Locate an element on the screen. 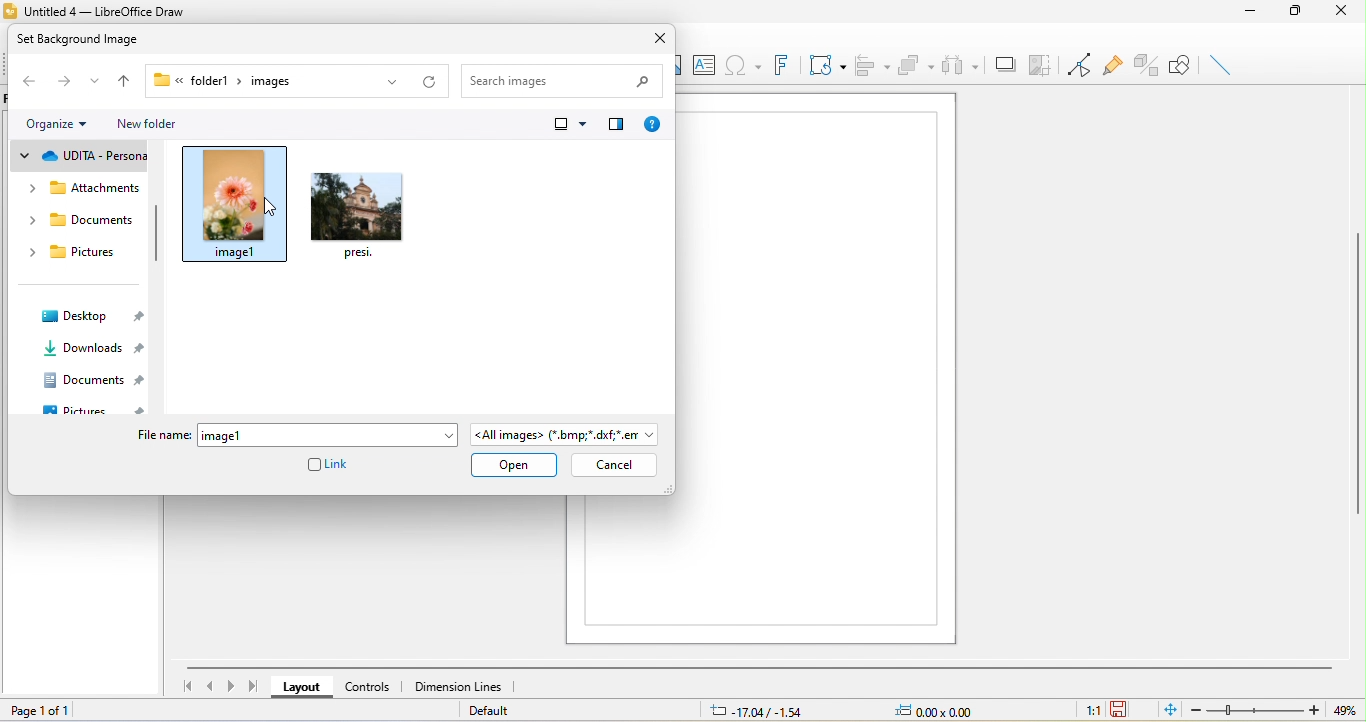 The width and height of the screenshot is (1366, 722). Untitled 4 — LibreOffice Draw is located at coordinates (97, 9).